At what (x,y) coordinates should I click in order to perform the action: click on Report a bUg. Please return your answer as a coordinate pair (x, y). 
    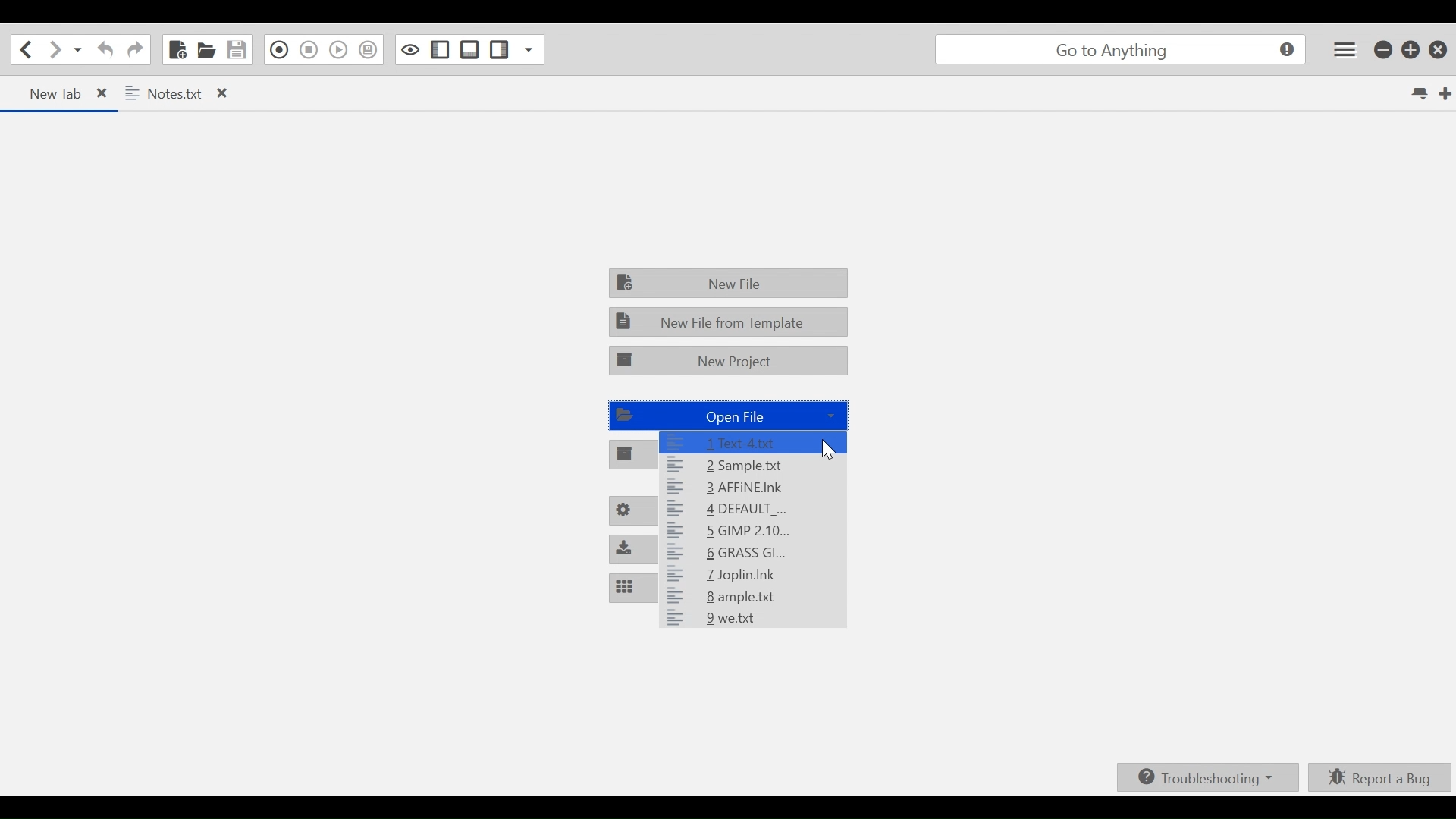
    Looking at the image, I should click on (1380, 777).